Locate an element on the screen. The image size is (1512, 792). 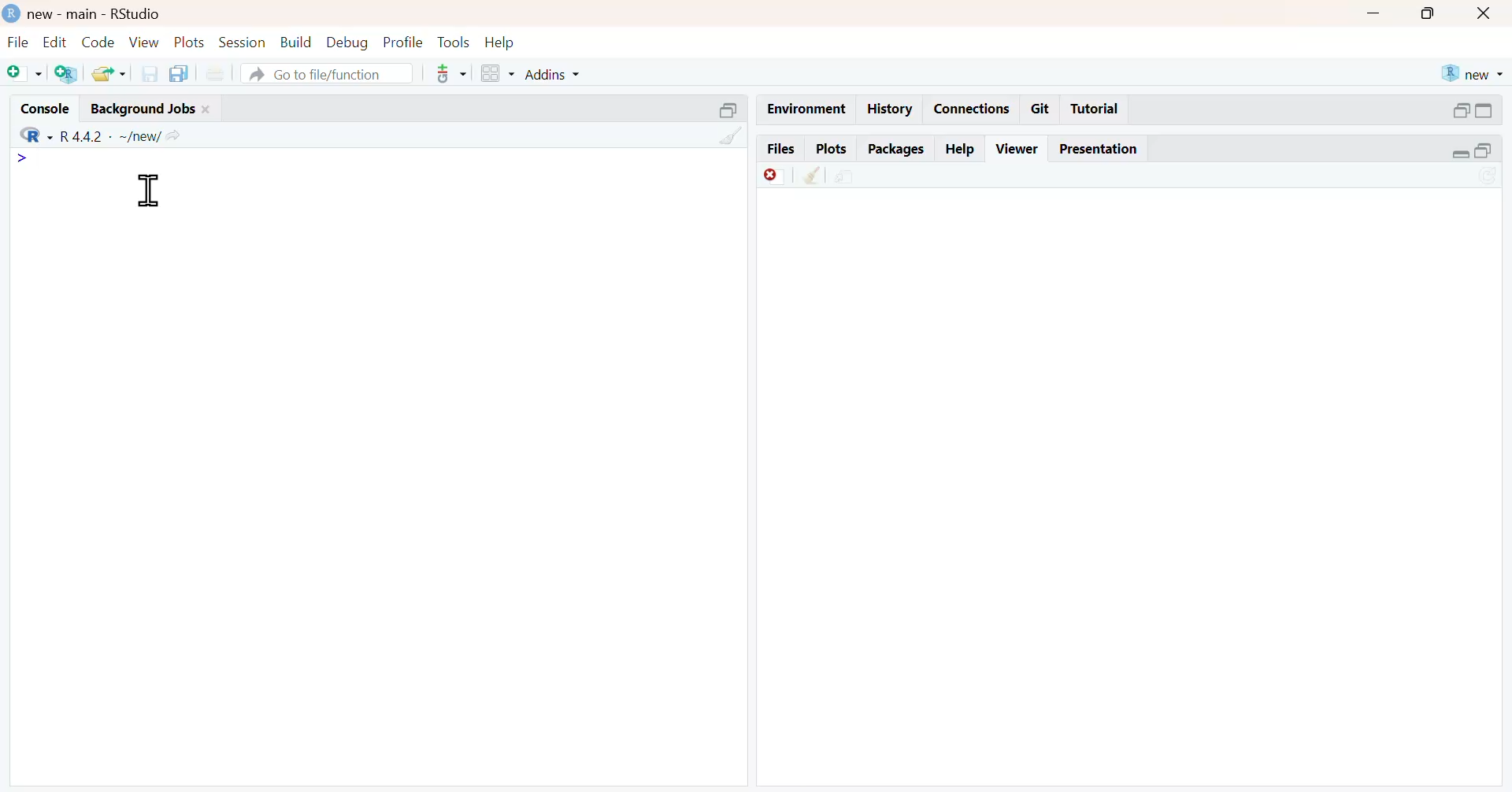
tutorial is located at coordinates (1095, 111).